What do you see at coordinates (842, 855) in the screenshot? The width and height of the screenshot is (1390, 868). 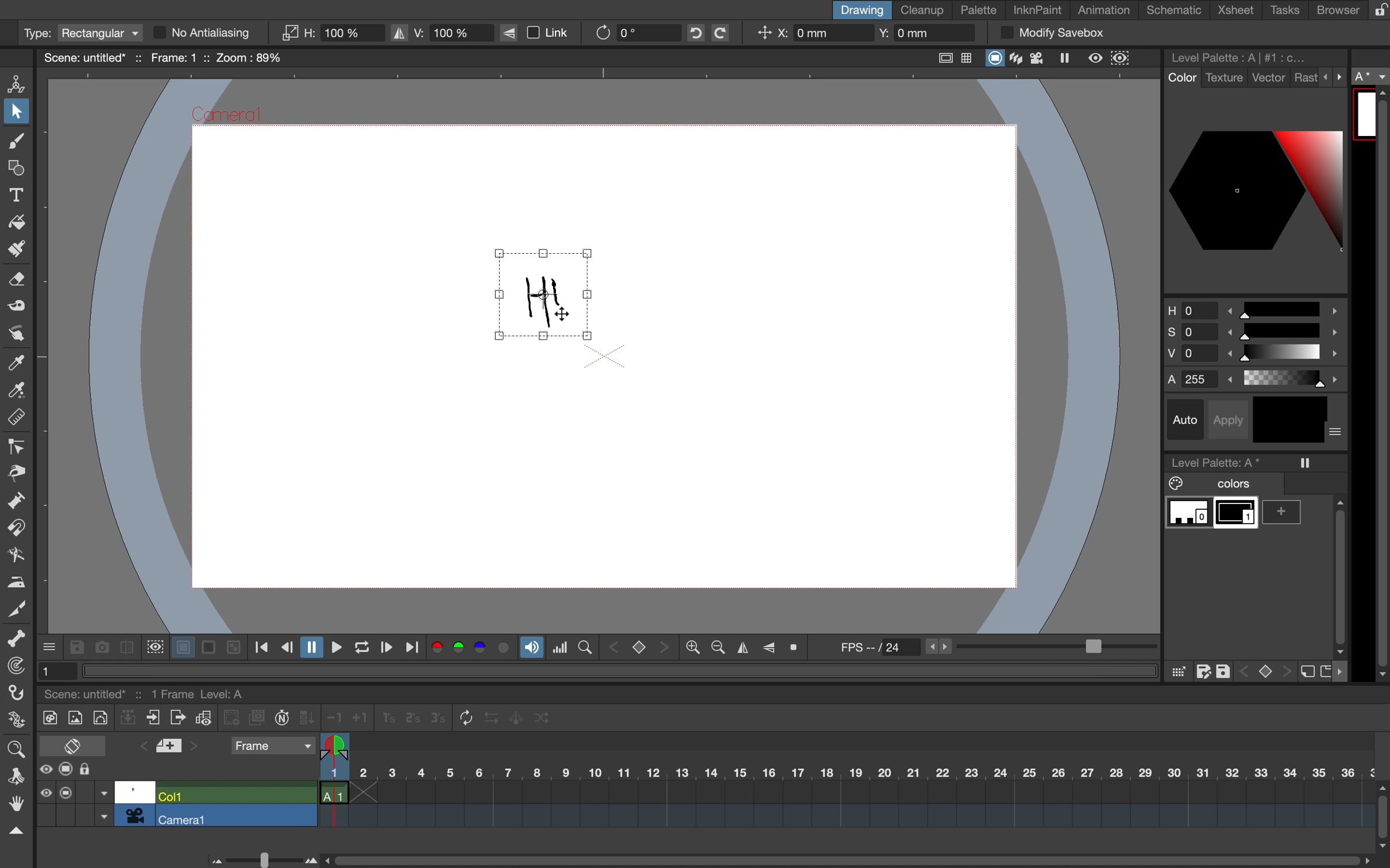 I see `horizontal scroll bar` at bounding box center [842, 855].